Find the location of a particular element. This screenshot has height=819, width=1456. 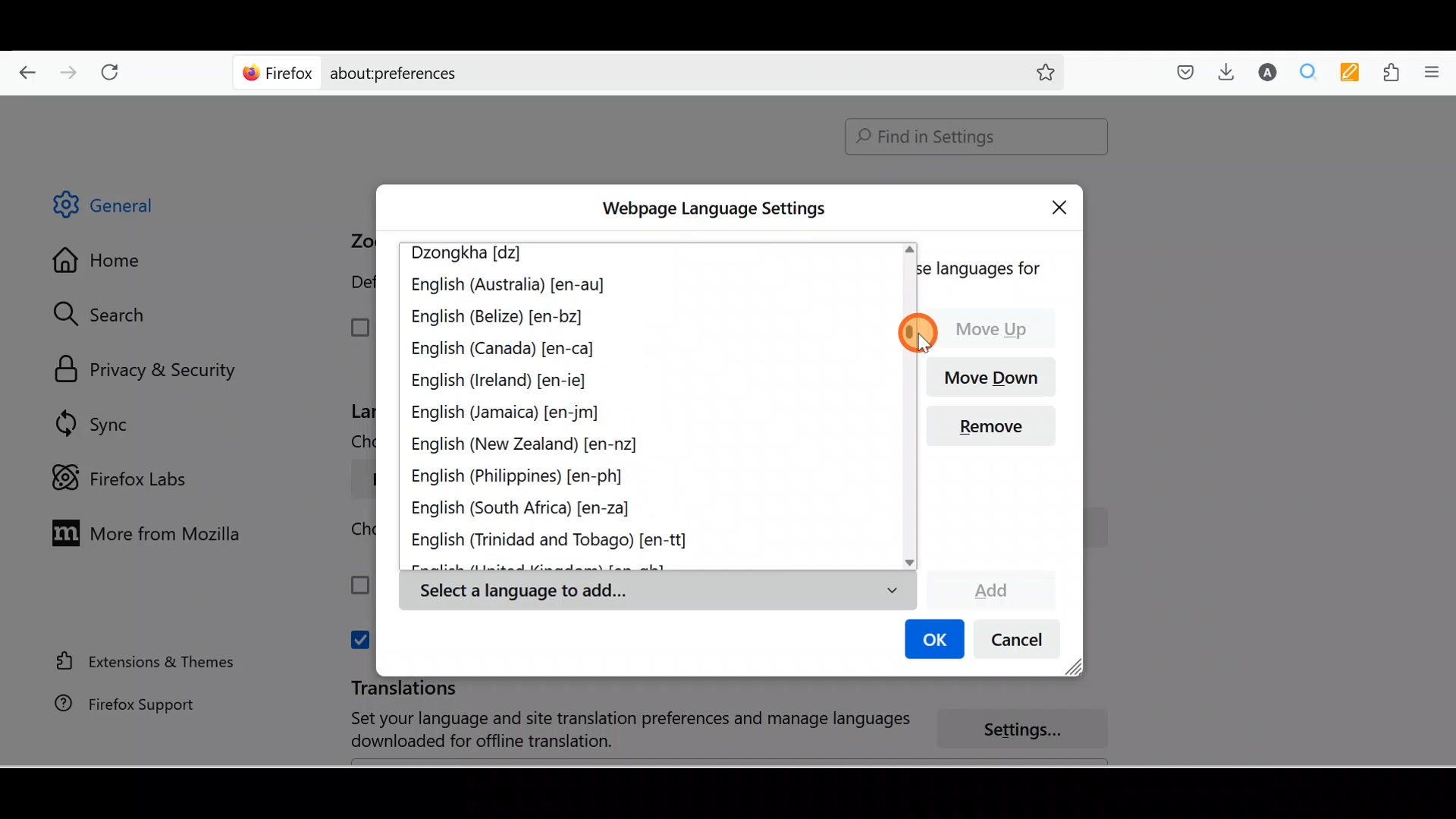

Go back one page is located at coordinates (21, 68).